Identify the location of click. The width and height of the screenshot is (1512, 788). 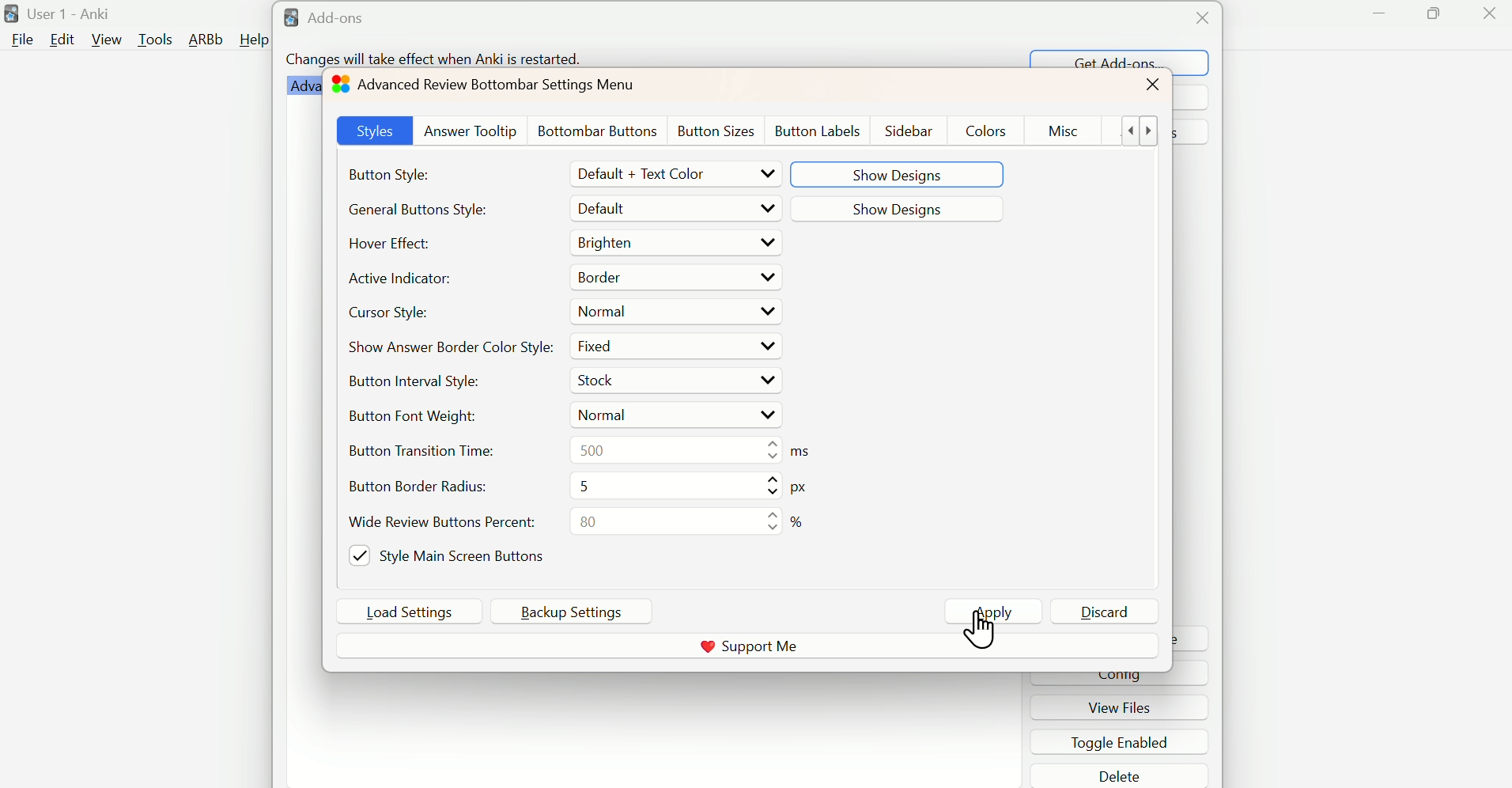
(985, 633).